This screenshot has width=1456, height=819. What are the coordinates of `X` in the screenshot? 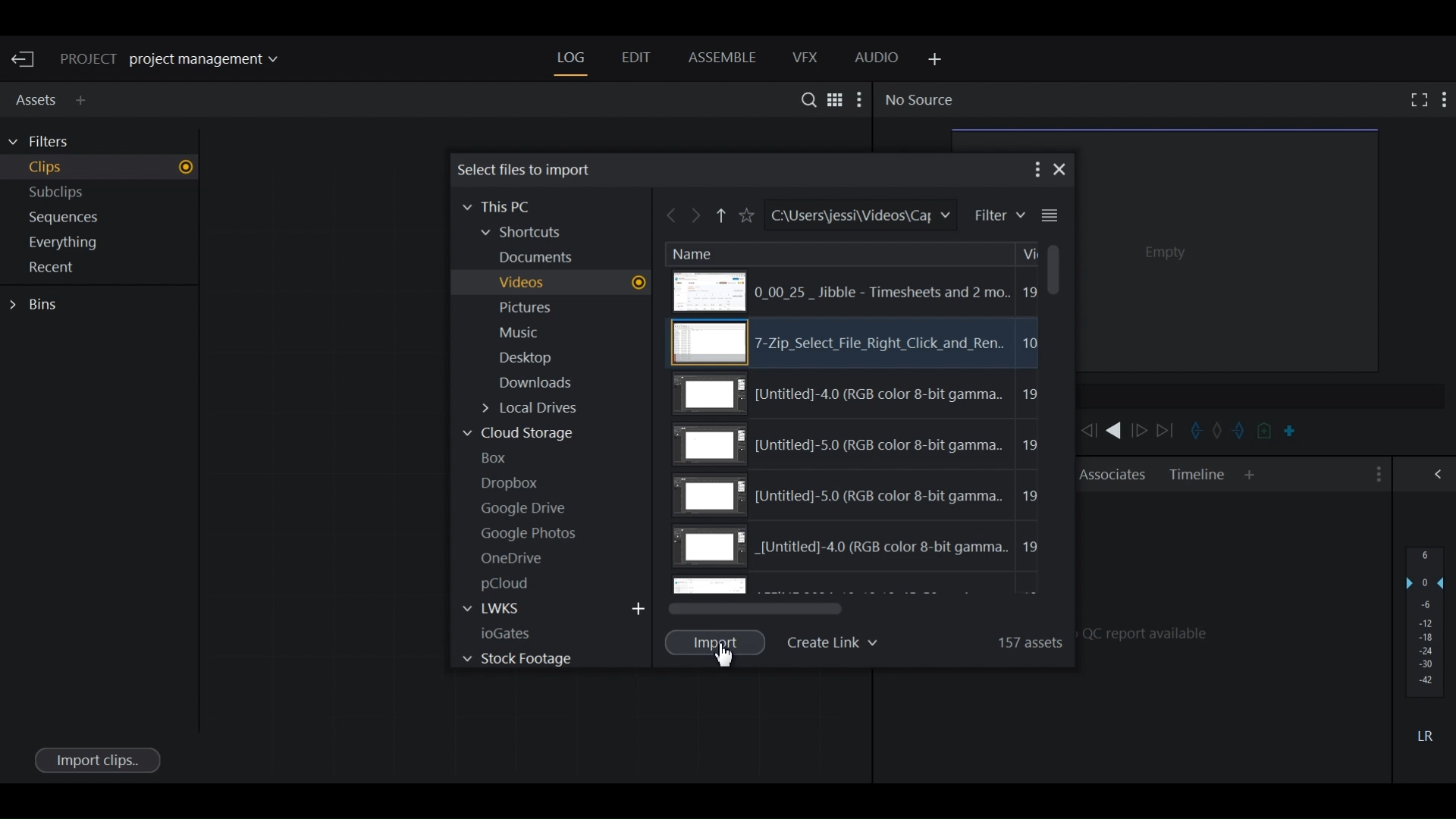 It's located at (1061, 169).